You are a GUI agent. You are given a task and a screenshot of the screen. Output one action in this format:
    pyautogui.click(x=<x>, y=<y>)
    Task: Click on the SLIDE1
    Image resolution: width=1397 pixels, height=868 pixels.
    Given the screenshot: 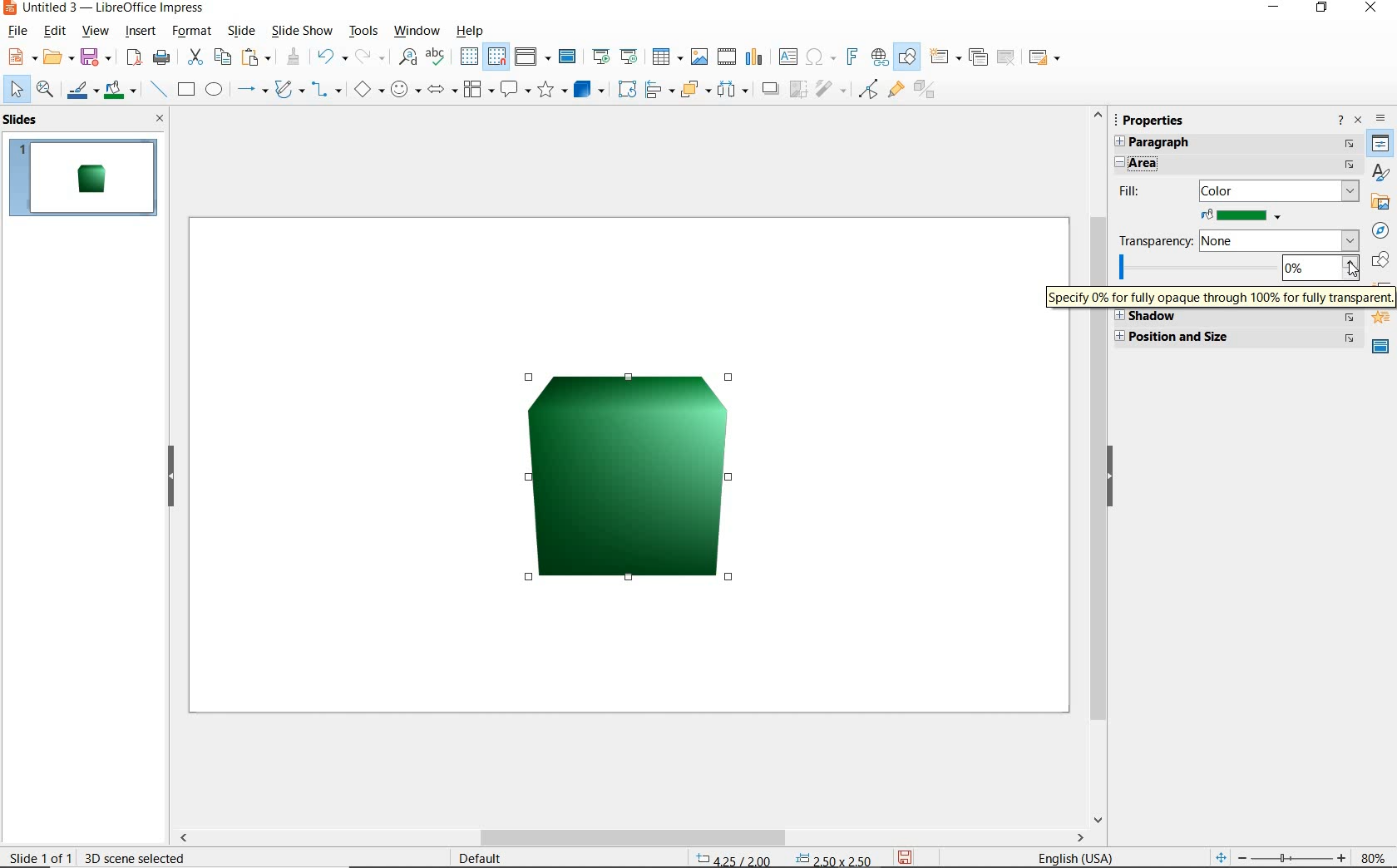 What is the action you would take?
    pyautogui.click(x=84, y=178)
    